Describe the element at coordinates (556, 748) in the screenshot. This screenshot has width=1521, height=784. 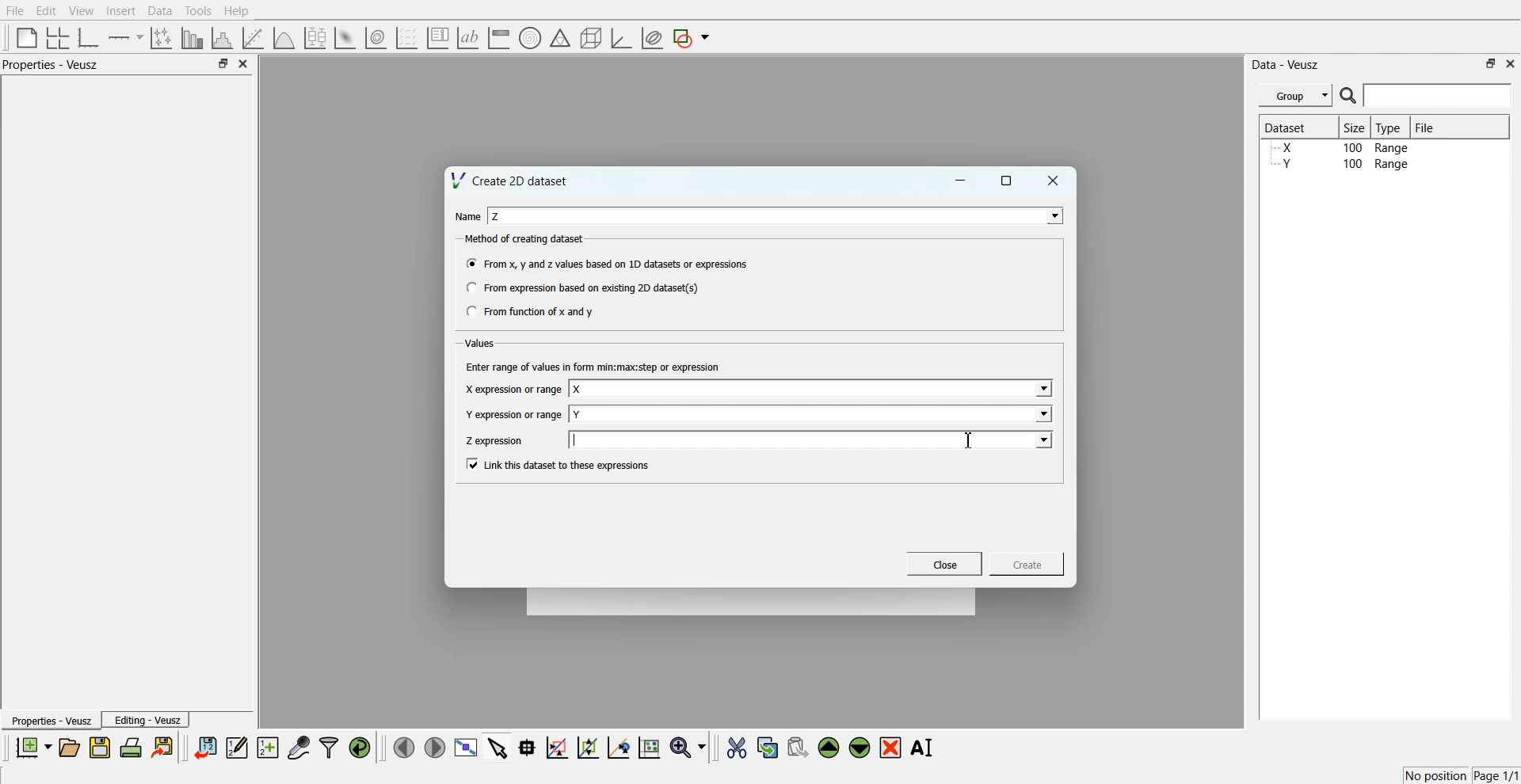
I see `Draw a rectangle to zoom graph axes` at that location.